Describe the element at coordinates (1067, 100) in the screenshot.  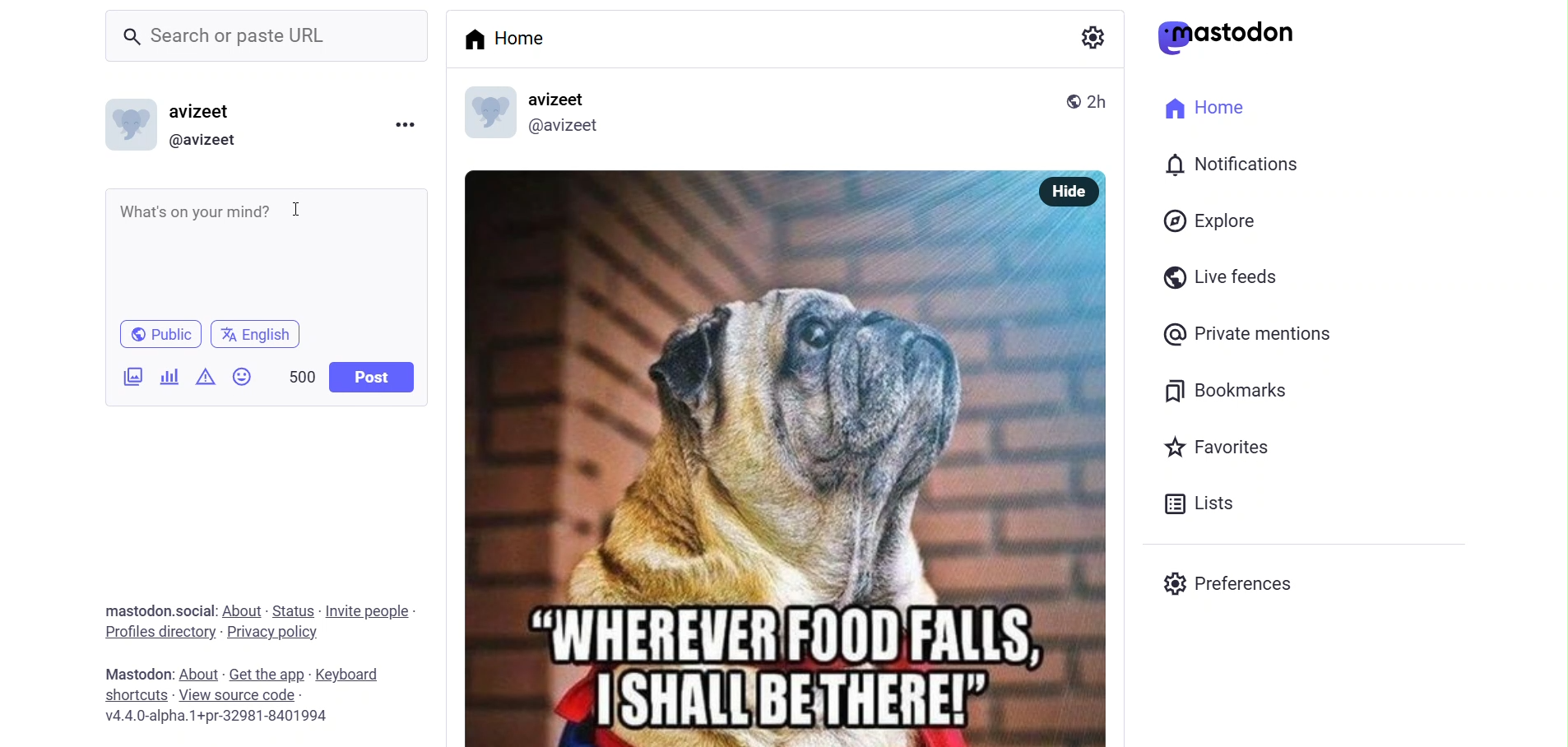
I see `public` at that location.